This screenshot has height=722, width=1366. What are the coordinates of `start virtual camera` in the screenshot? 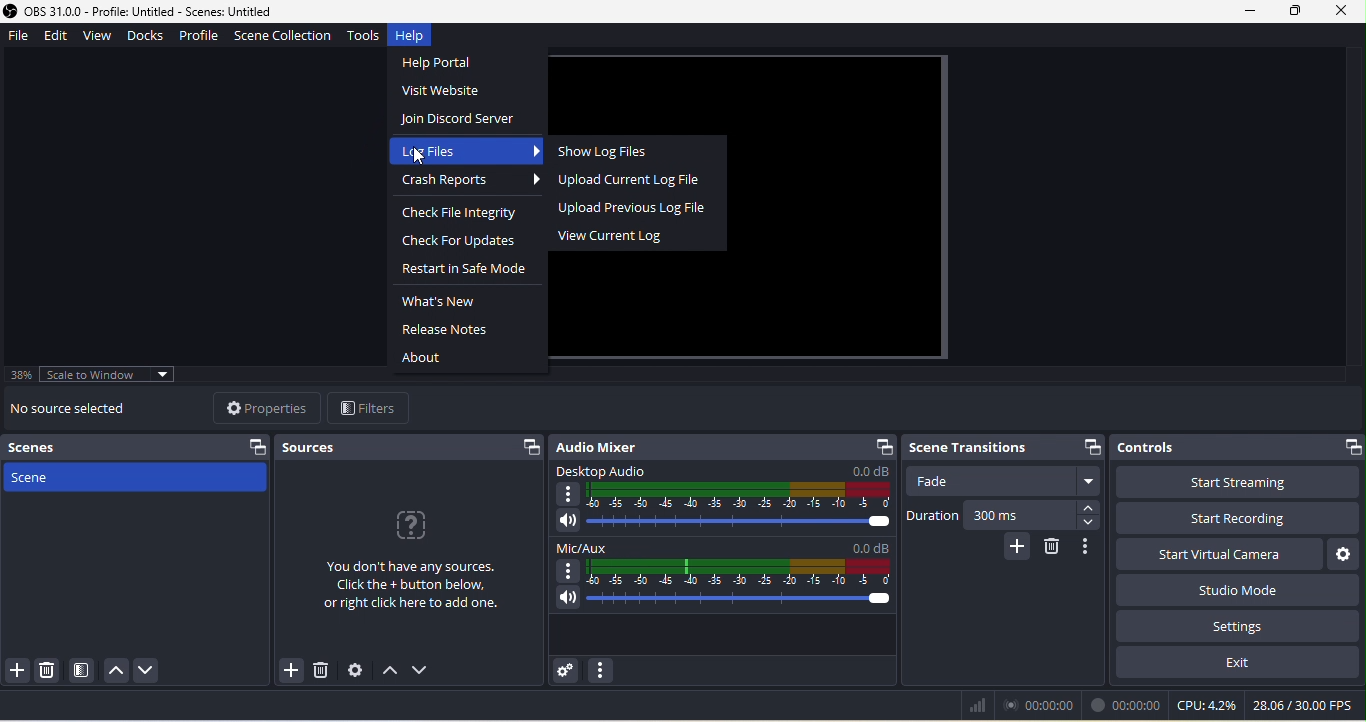 It's located at (1211, 553).